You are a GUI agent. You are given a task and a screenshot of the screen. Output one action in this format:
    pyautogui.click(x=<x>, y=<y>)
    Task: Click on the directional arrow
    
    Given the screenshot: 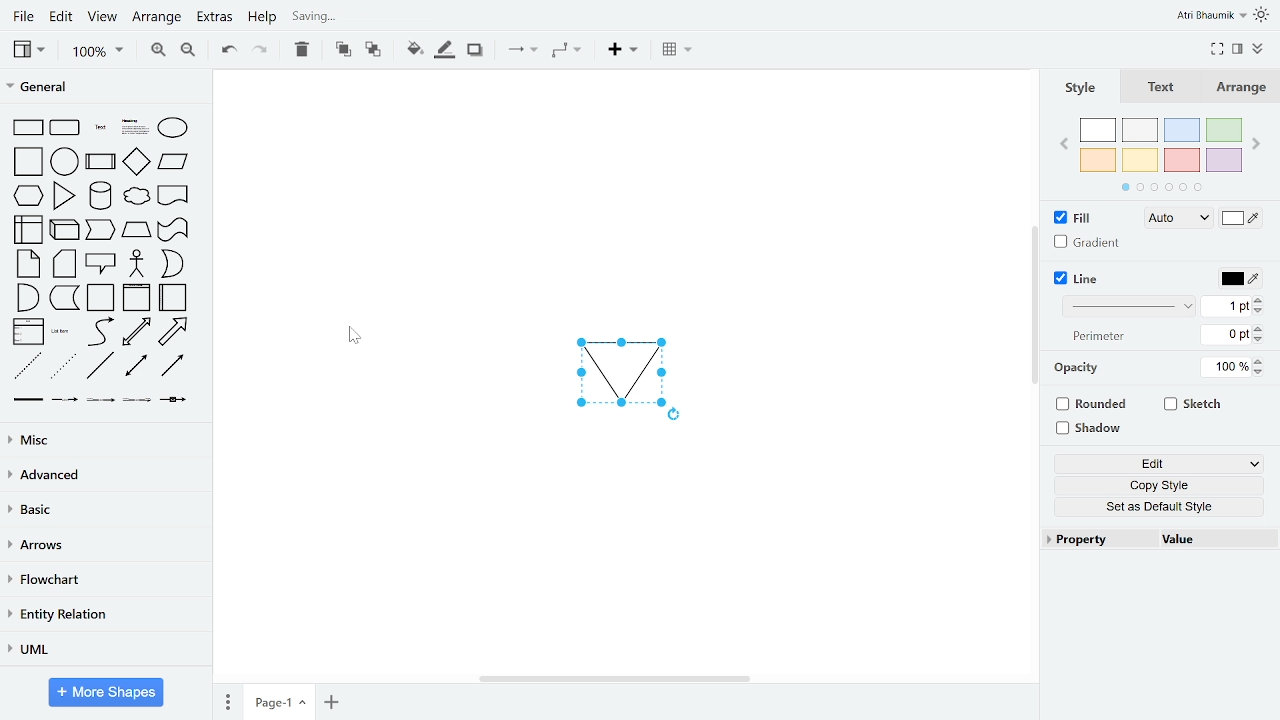 What is the action you would take?
    pyautogui.click(x=173, y=367)
    